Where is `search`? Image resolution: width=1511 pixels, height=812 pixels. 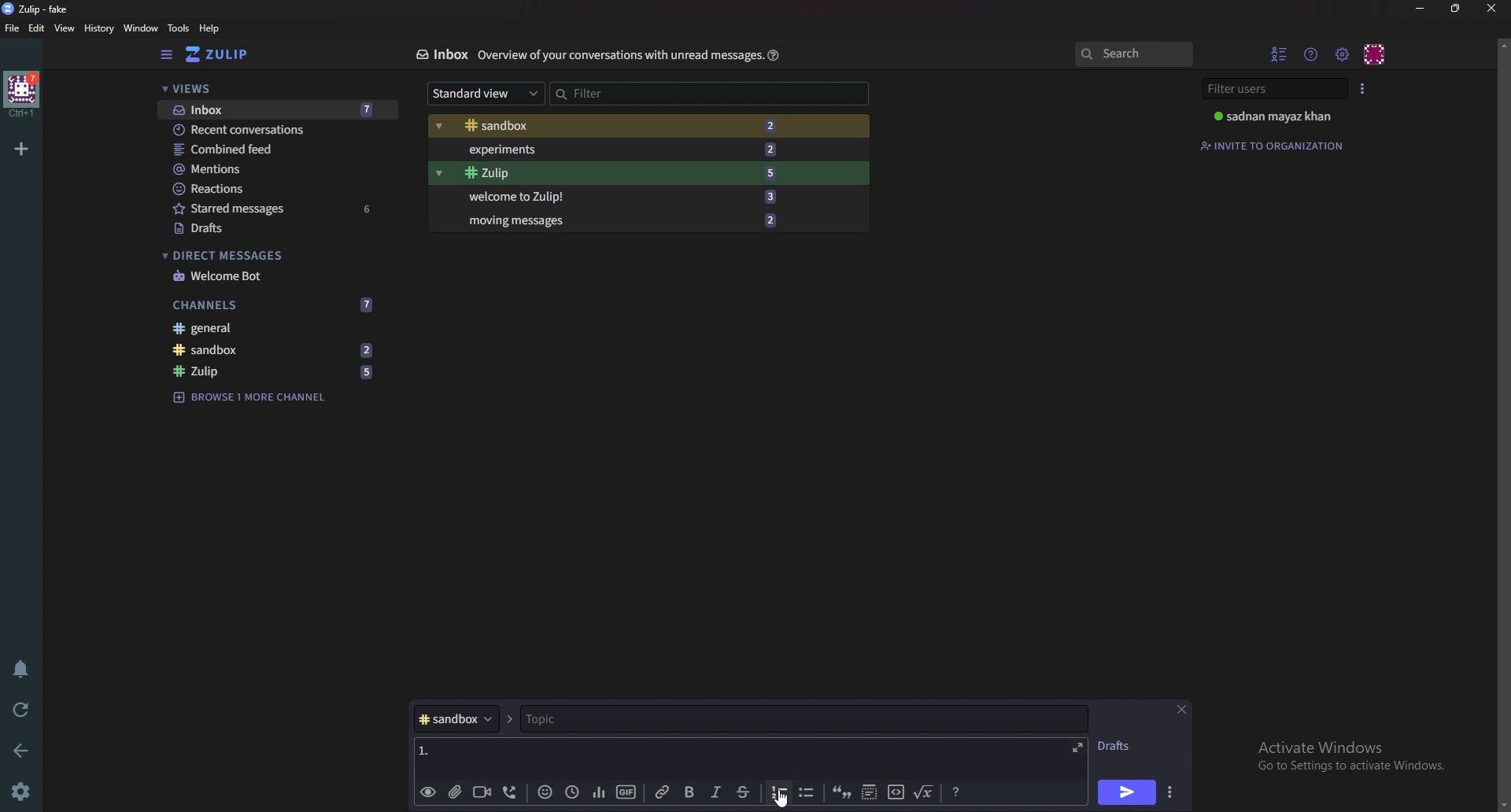
search is located at coordinates (1133, 55).